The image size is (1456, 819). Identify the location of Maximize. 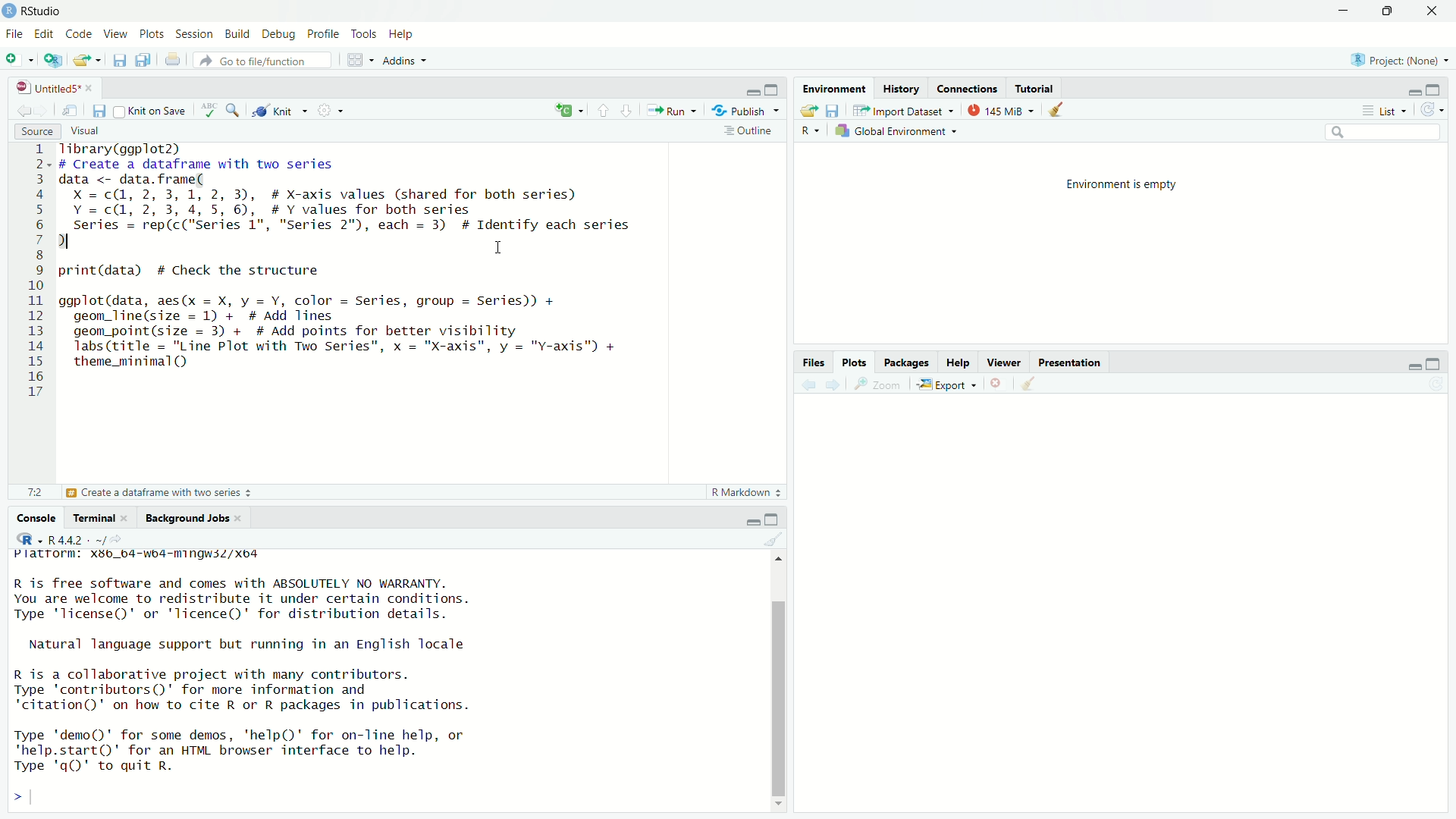
(1436, 90).